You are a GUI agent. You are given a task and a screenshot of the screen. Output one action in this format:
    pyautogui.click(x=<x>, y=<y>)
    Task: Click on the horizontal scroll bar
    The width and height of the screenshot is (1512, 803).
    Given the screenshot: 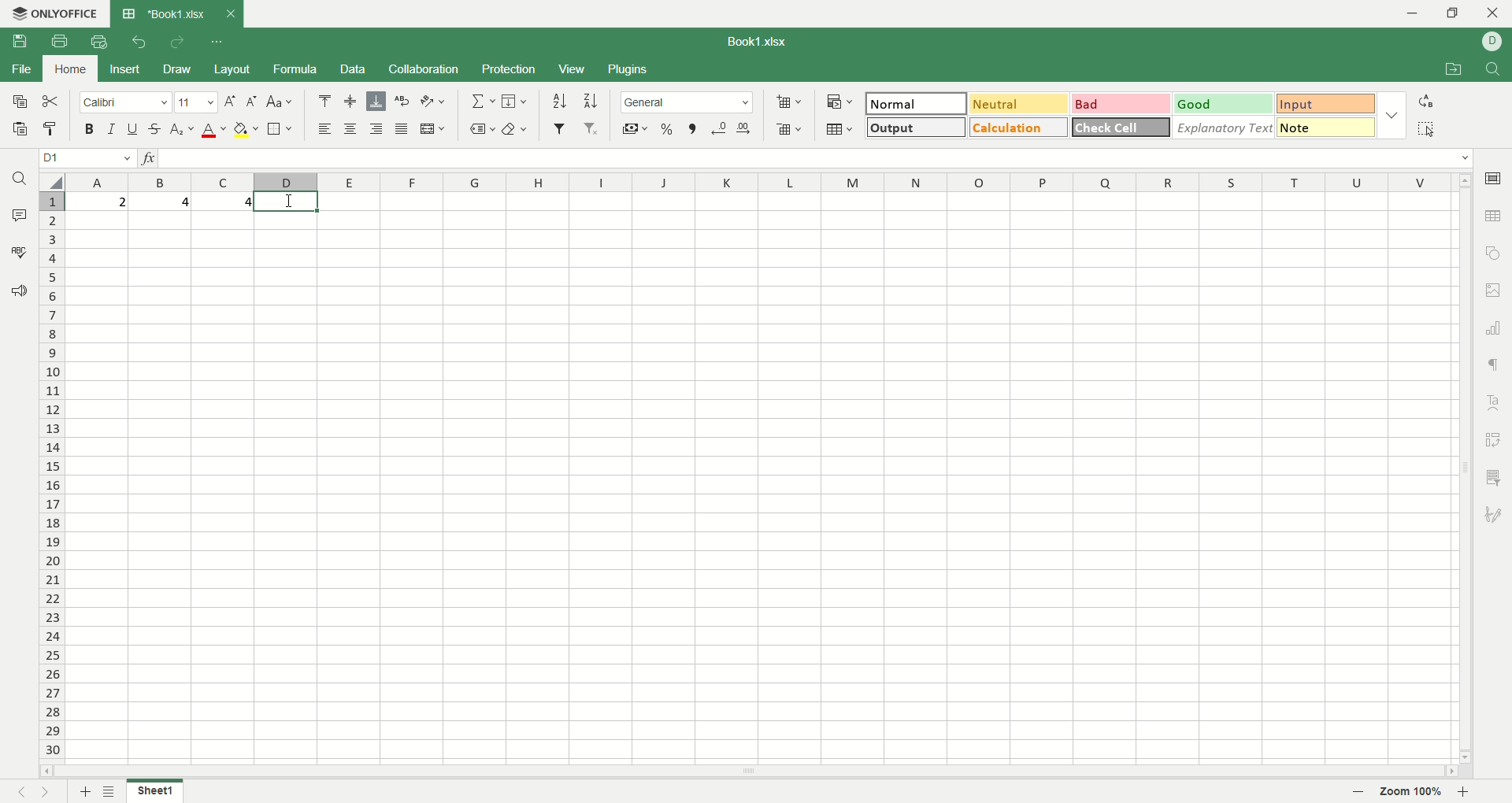 What is the action you would take?
    pyautogui.click(x=750, y=772)
    